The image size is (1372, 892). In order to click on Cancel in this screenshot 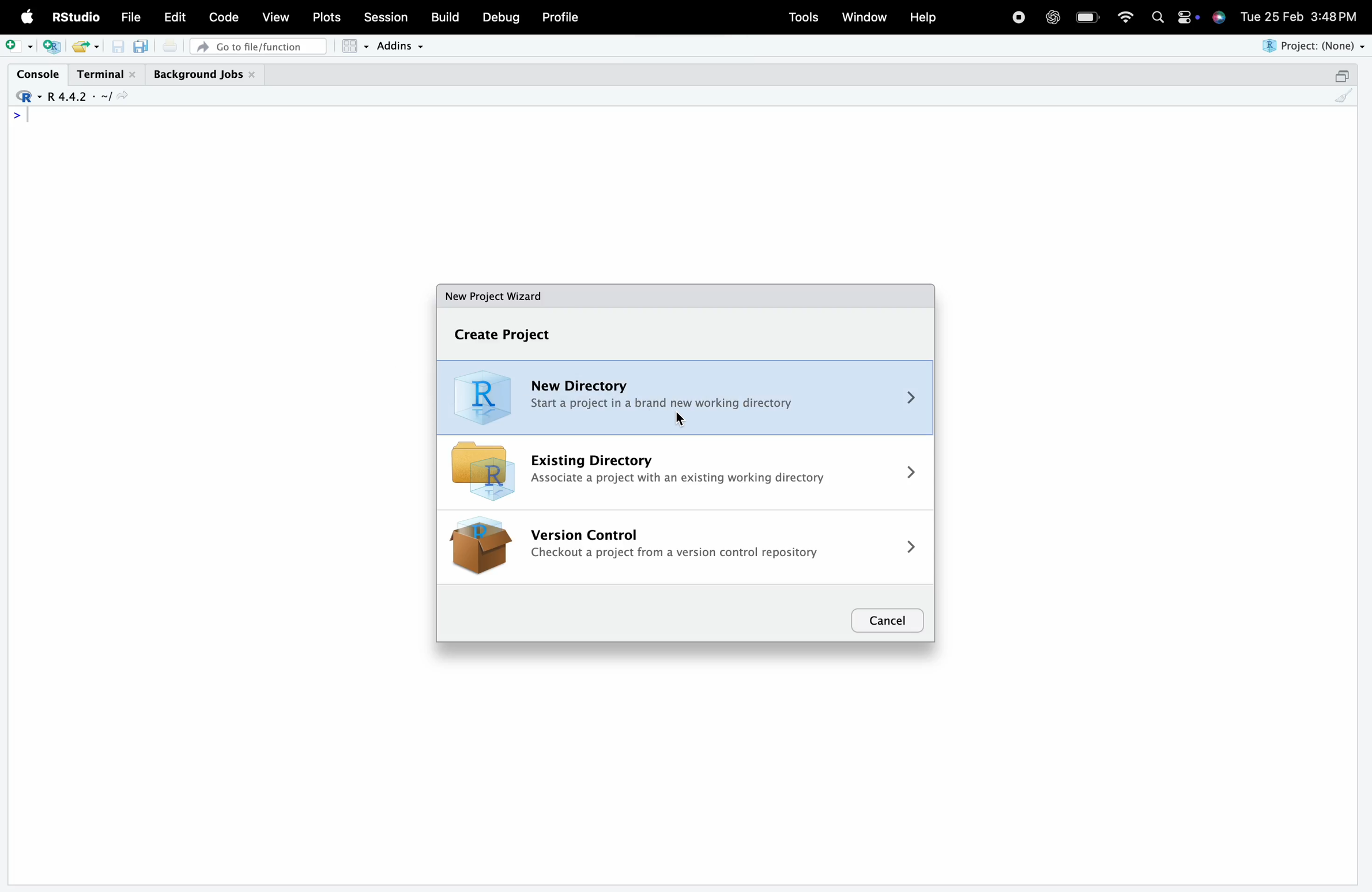, I will do `click(888, 621)`.